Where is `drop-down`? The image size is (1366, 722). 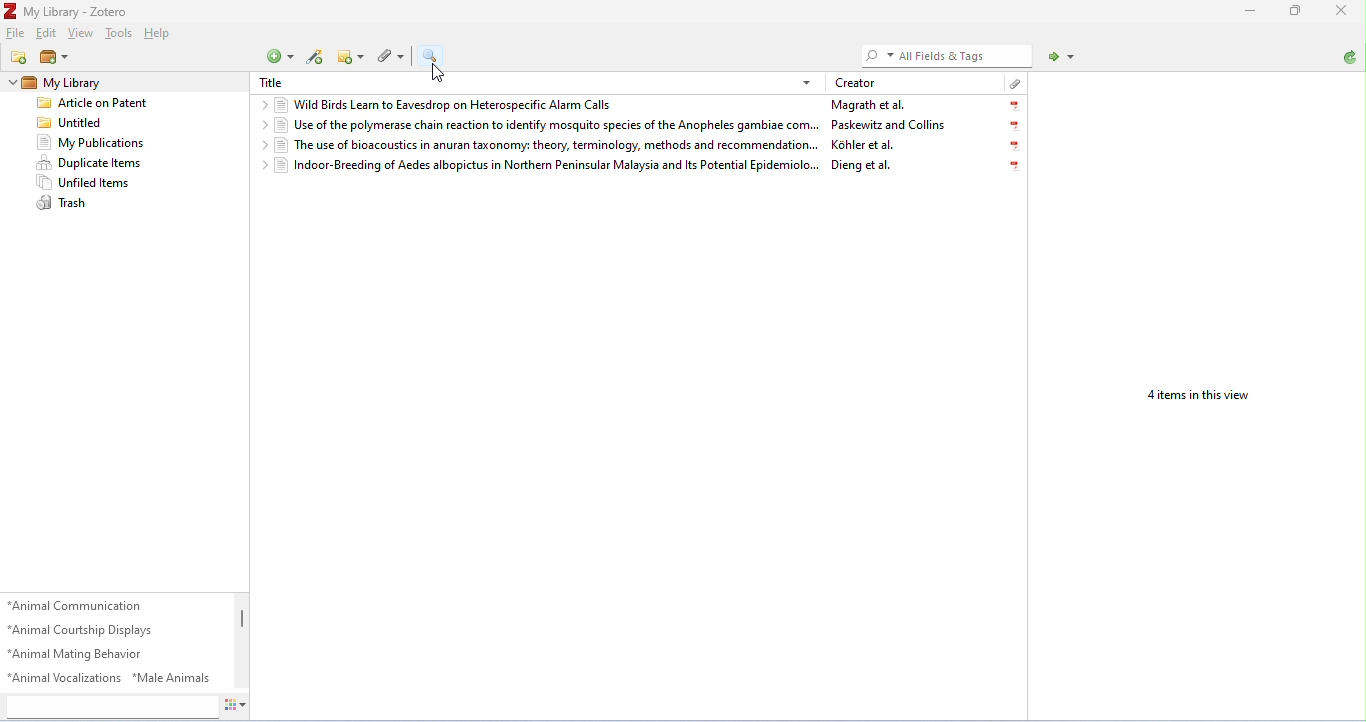 drop-down is located at coordinates (260, 145).